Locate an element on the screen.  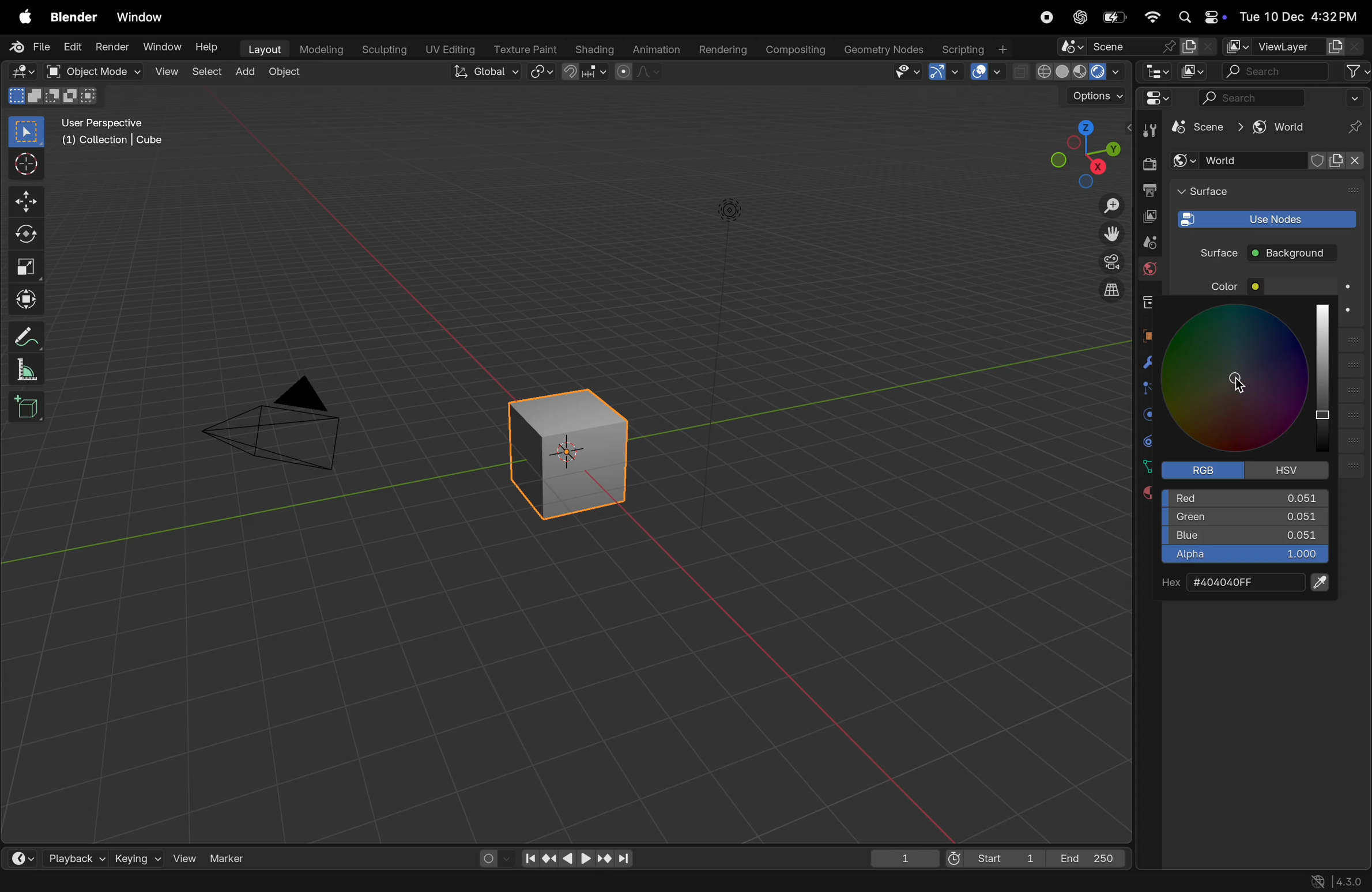
camera is located at coordinates (1105, 263).